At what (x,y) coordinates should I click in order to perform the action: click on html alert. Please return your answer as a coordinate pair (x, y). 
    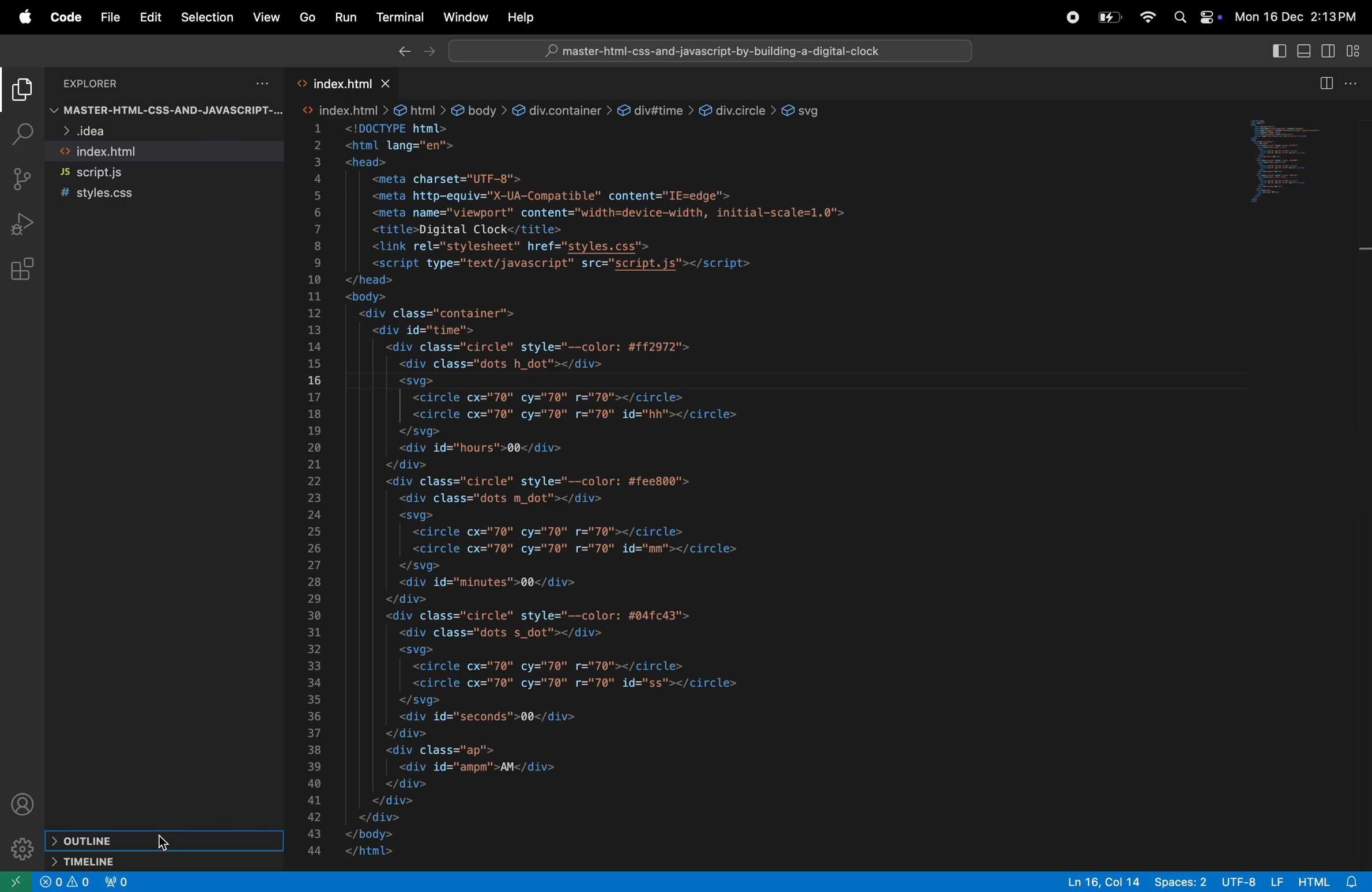
    Looking at the image, I should click on (1328, 881).